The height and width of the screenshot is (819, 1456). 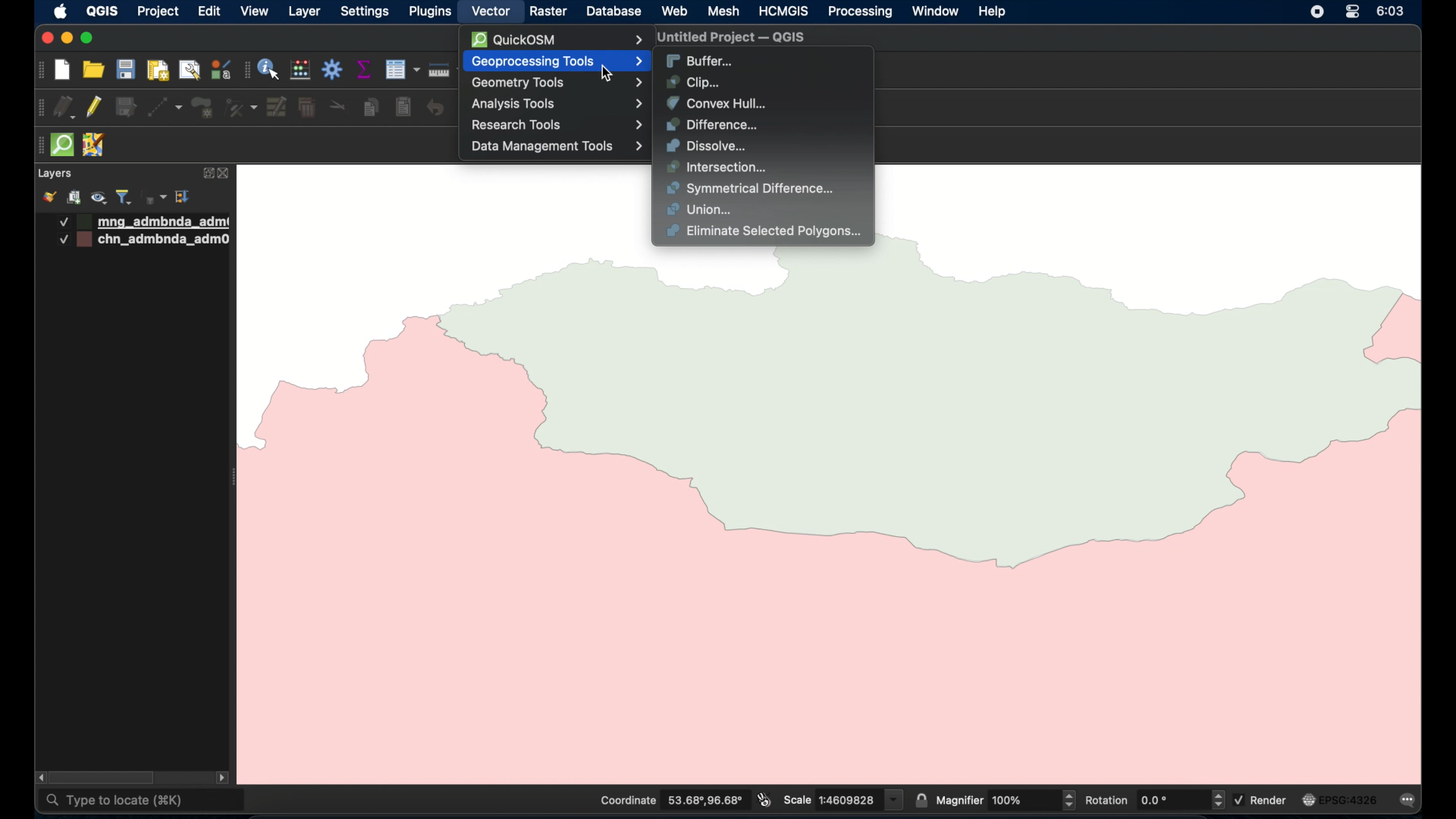 I want to click on close, so click(x=227, y=174).